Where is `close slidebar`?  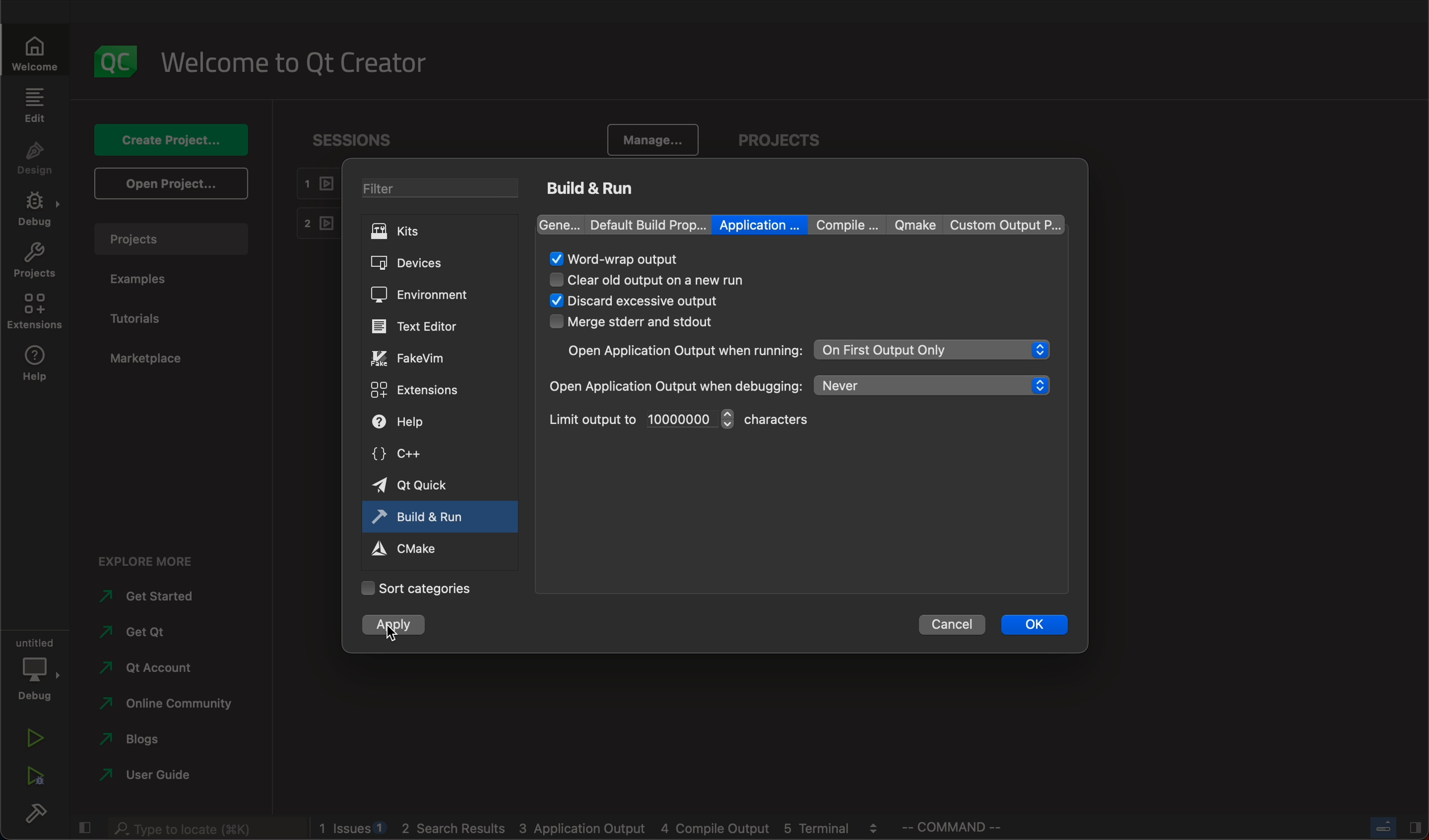
close slidebar is located at coordinates (84, 827).